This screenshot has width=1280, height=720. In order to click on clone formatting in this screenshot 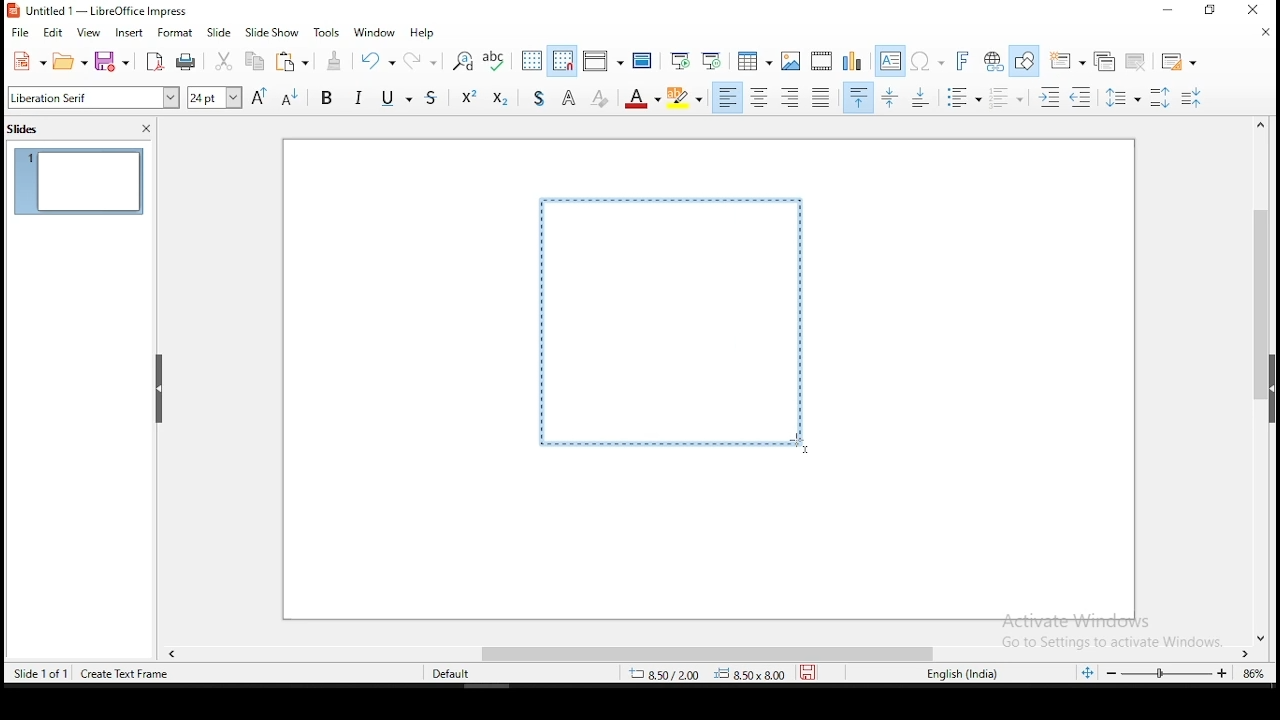, I will do `click(334, 60)`.